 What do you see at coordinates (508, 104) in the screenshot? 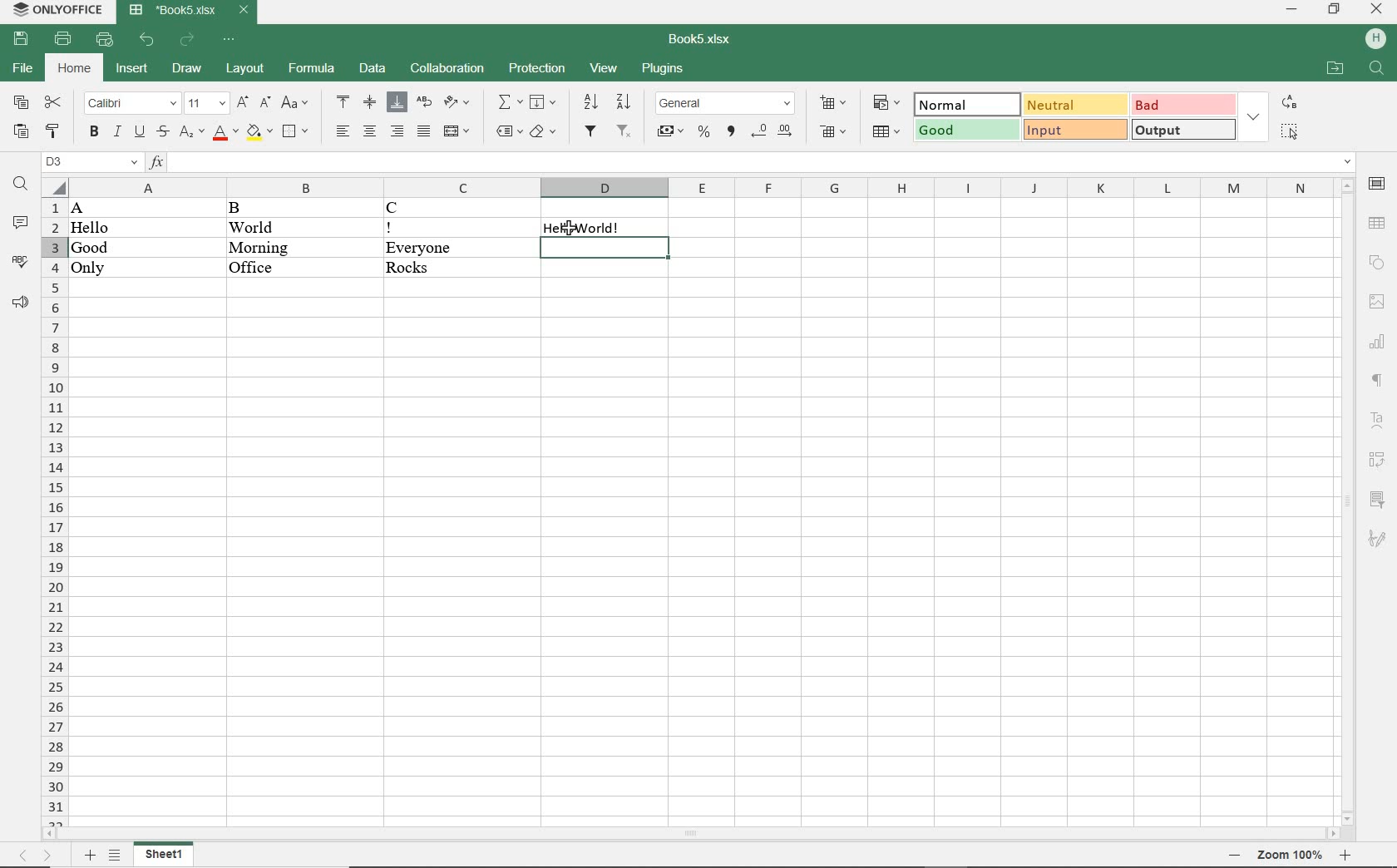
I see `INSERT FUNCTION` at bounding box center [508, 104].